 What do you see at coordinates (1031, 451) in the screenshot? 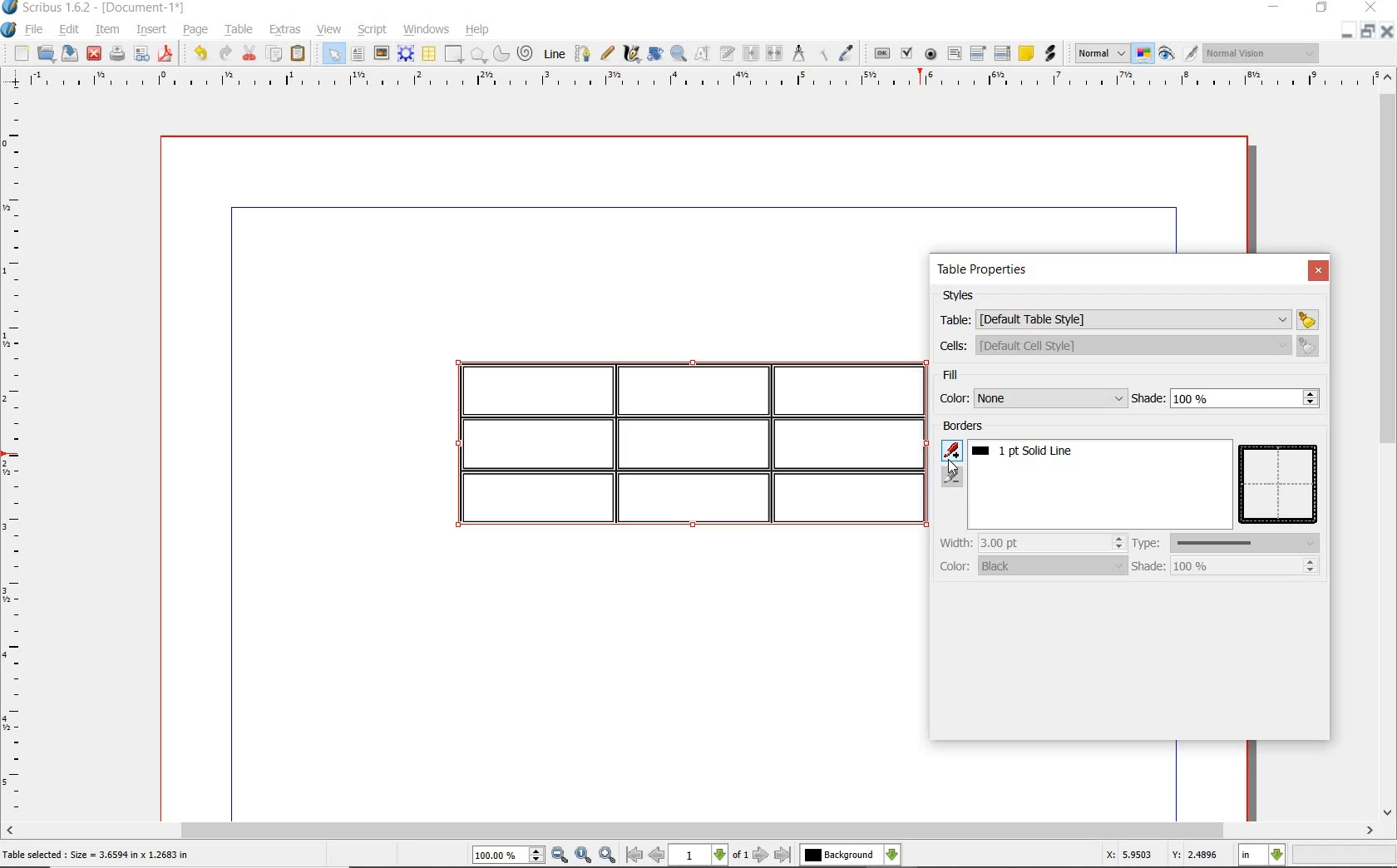
I see `1pt solid line` at bounding box center [1031, 451].